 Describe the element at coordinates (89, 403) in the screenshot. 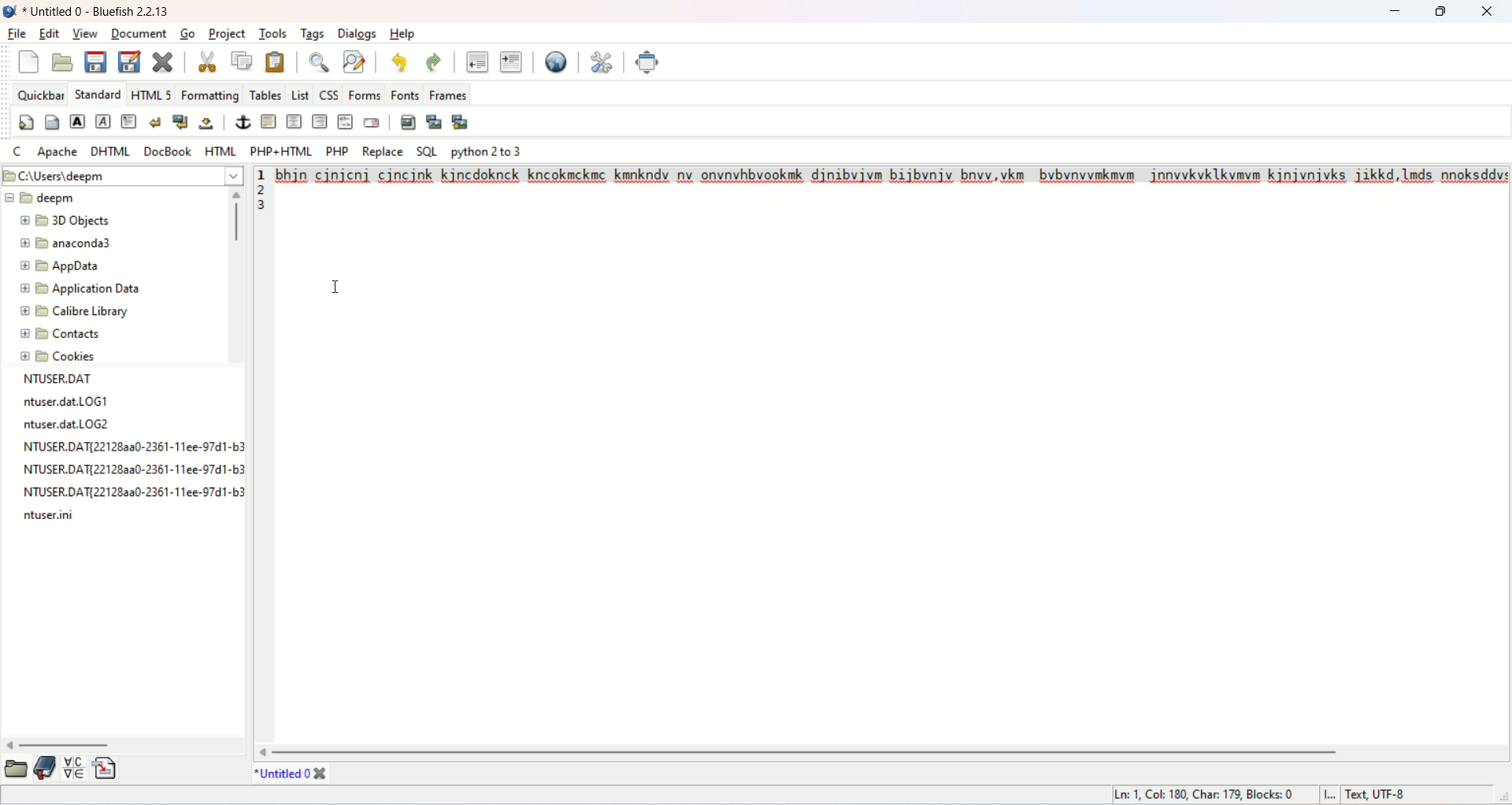

I see `file name` at that location.